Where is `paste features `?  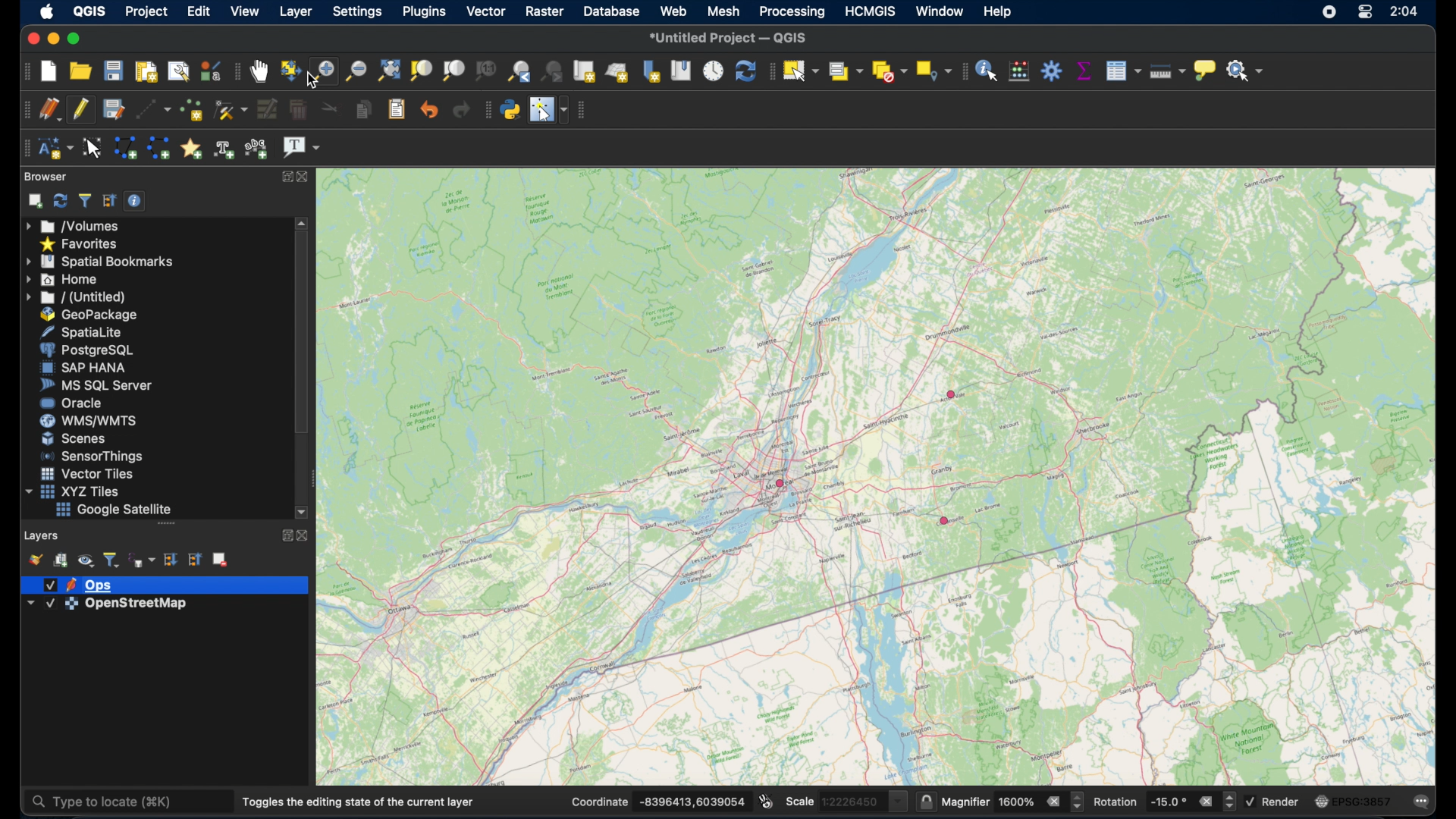
paste features  is located at coordinates (395, 108).